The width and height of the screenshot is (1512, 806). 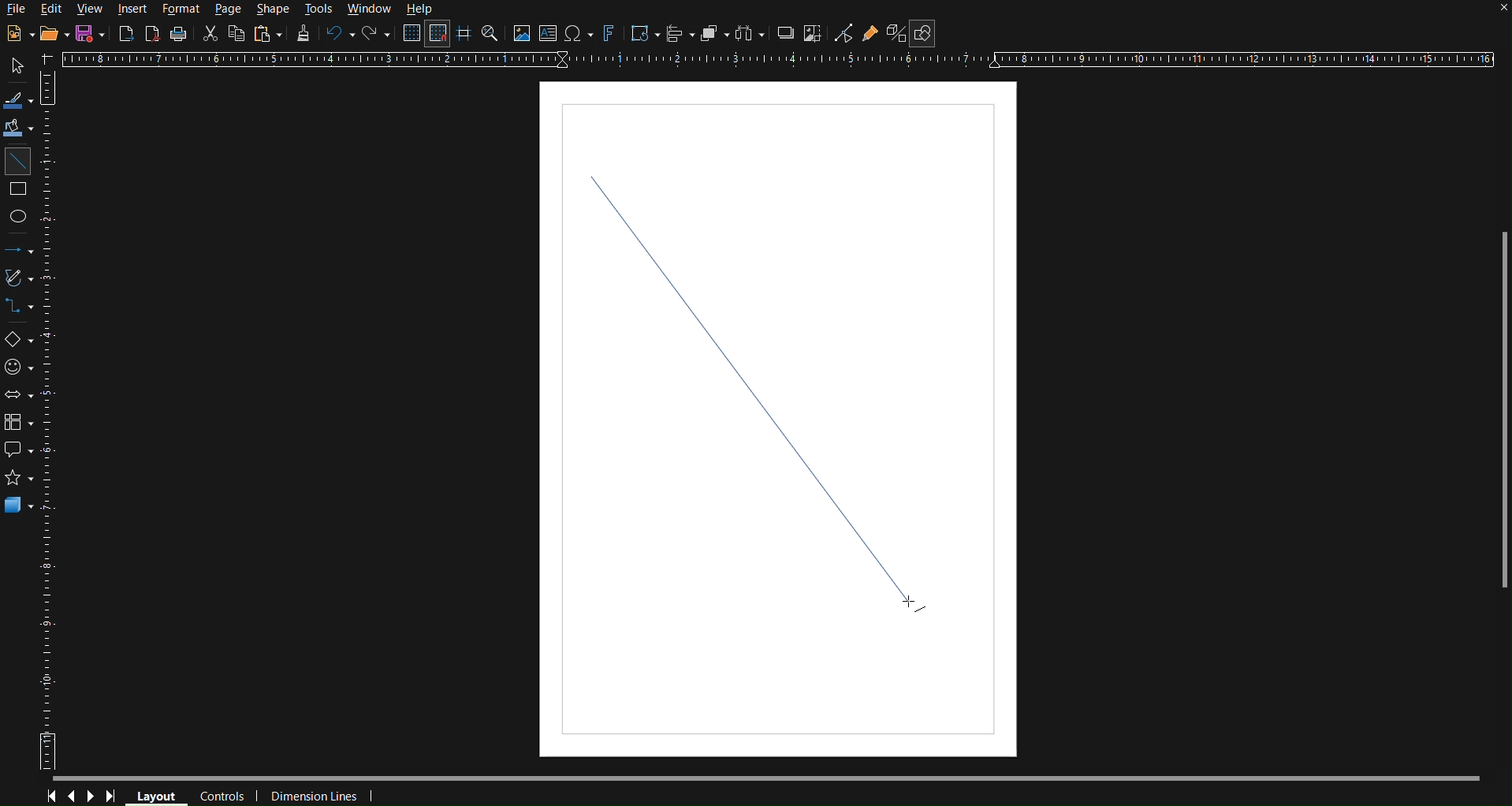 What do you see at coordinates (20, 395) in the screenshot?
I see `Block Arrows` at bounding box center [20, 395].